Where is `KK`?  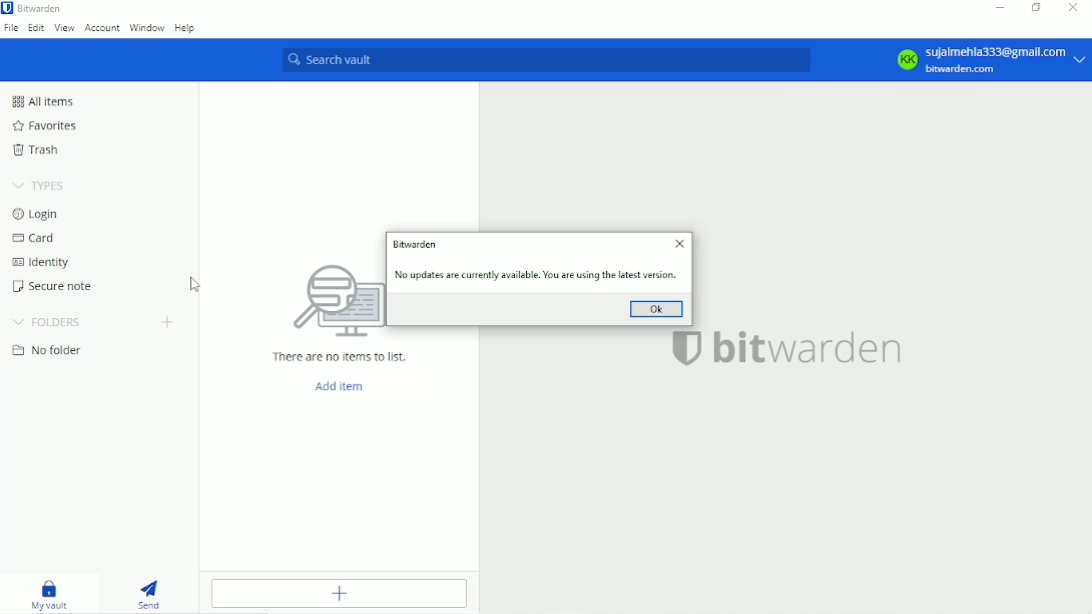 KK is located at coordinates (906, 60).